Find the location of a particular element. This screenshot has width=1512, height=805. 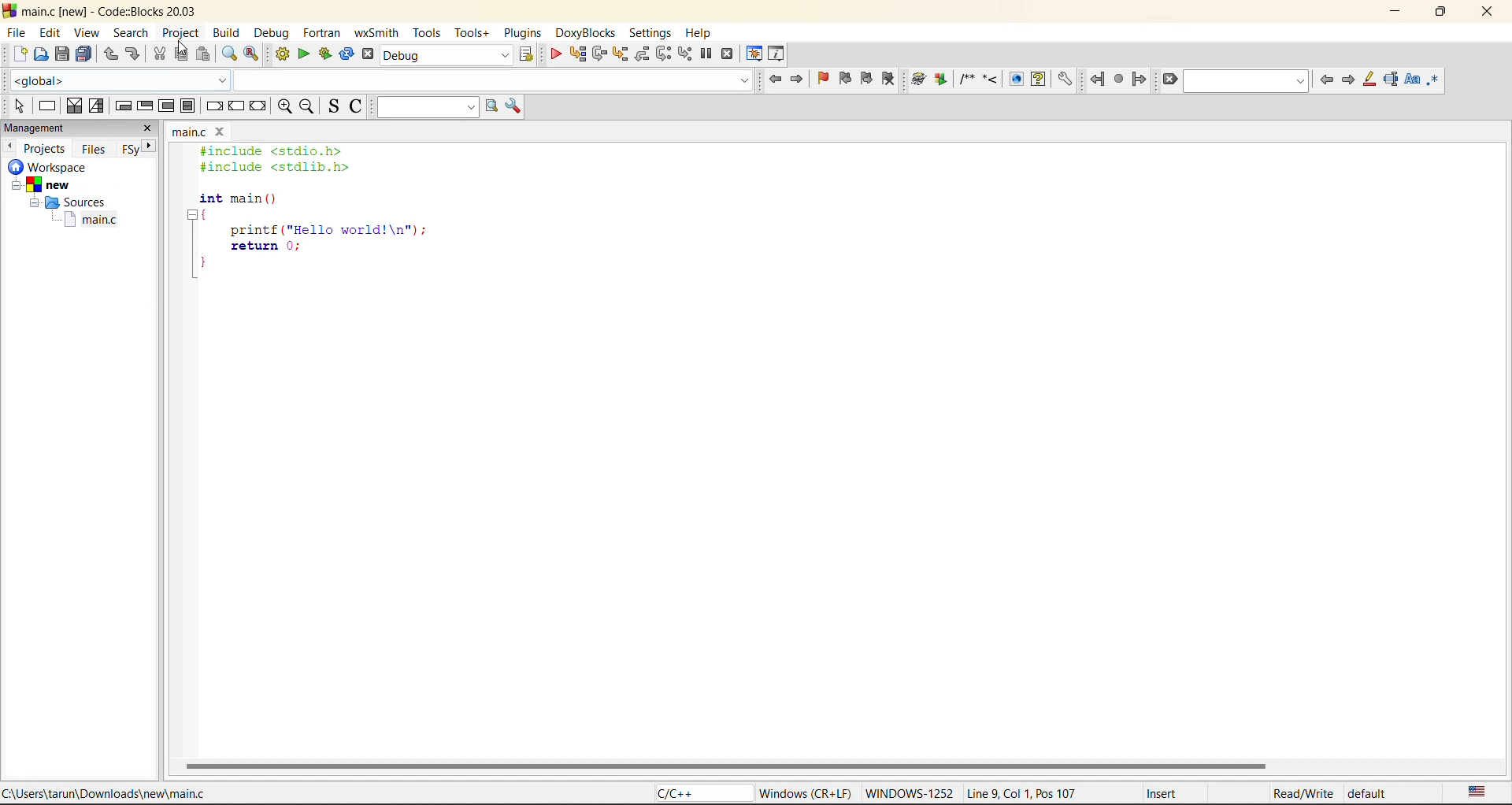

#include <stdio.h>

#include <stdlib.h>

int main ()

{
printf ("Hello world!\n");
return 0;

} is located at coordinates (317, 215).